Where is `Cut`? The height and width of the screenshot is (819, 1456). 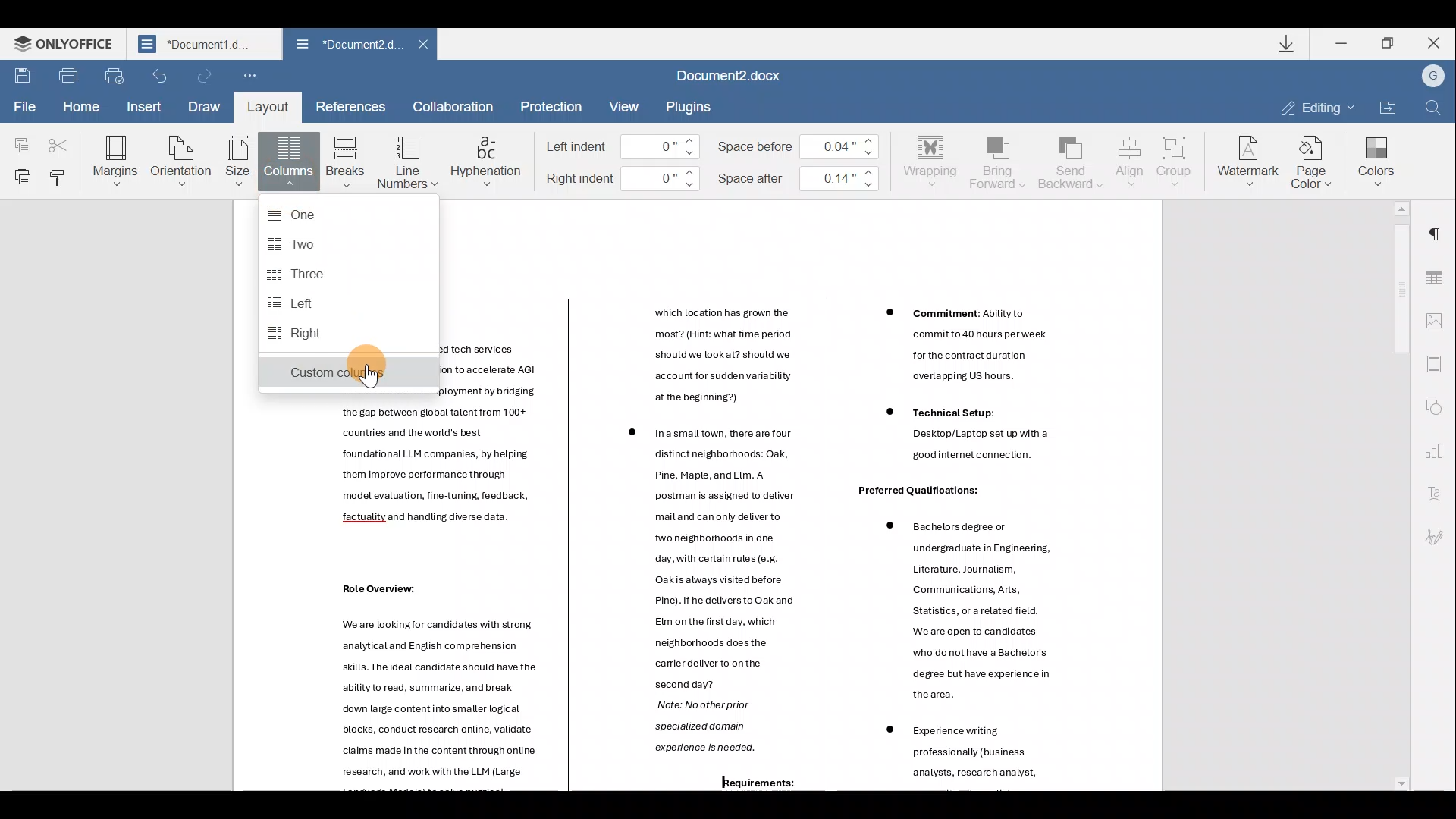 Cut is located at coordinates (63, 138).